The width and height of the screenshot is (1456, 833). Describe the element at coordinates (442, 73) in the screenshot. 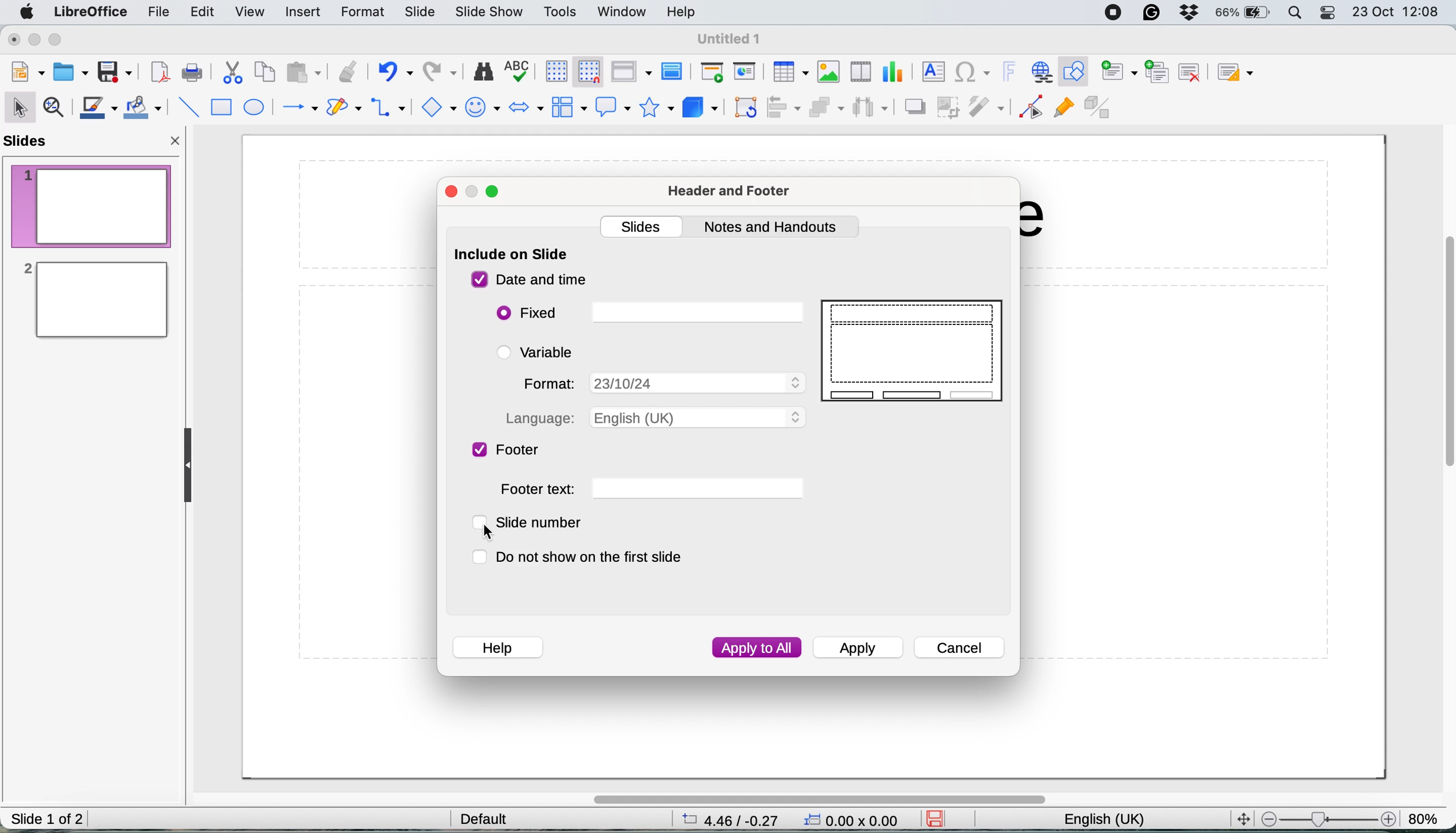

I see `redo` at that location.